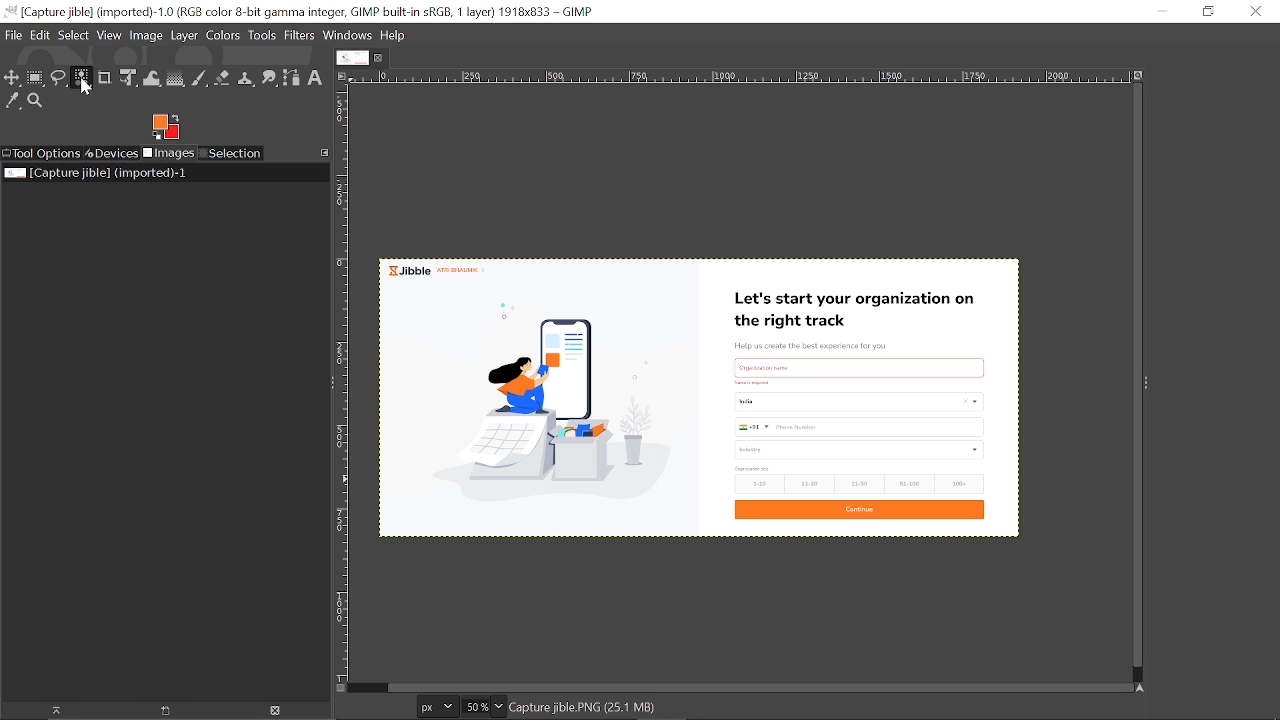  What do you see at coordinates (13, 102) in the screenshot?
I see `Color picker tool` at bounding box center [13, 102].